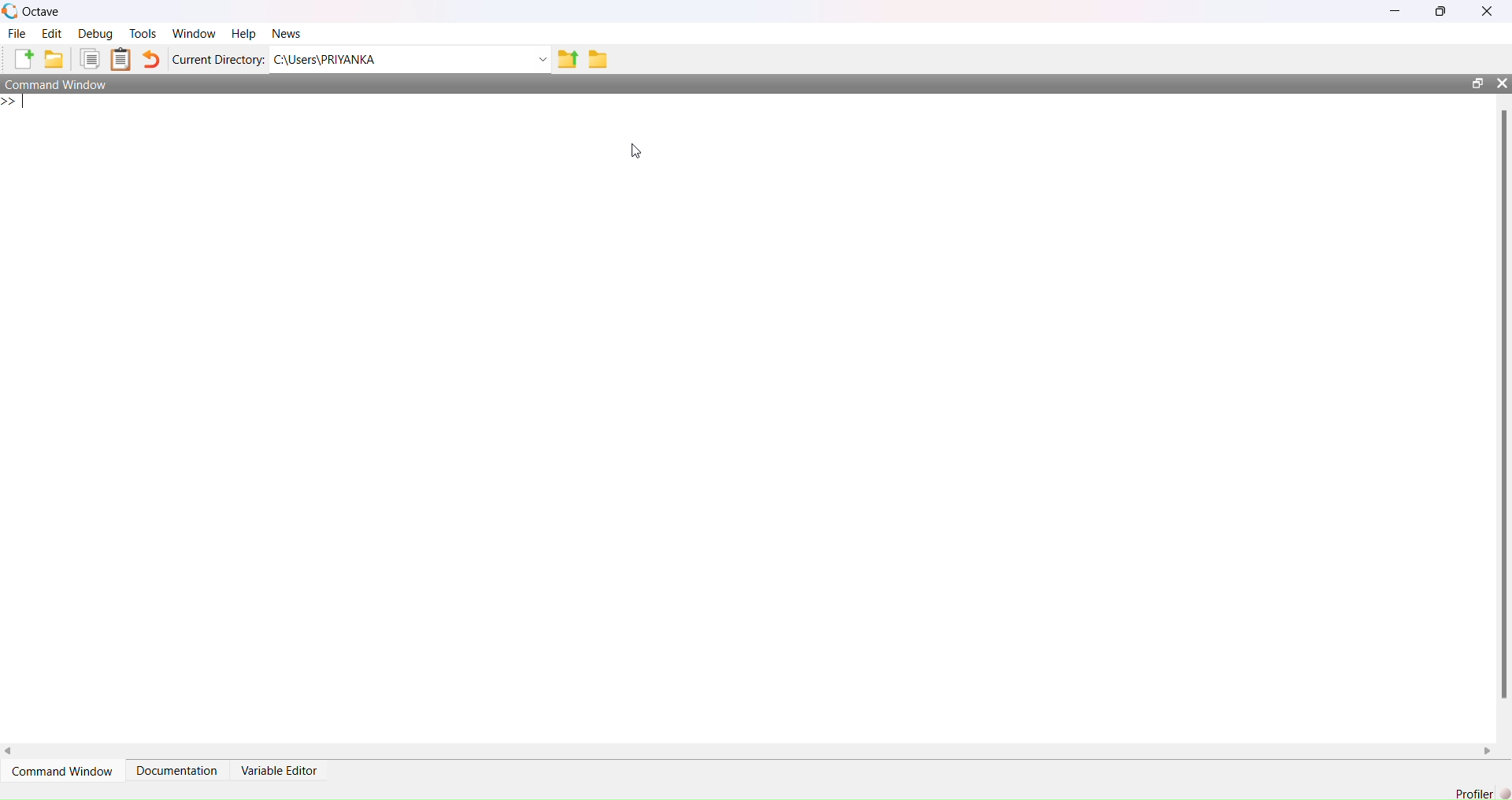 Image resolution: width=1512 pixels, height=800 pixels. What do you see at coordinates (195, 34) in the screenshot?
I see `Window` at bounding box center [195, 34].